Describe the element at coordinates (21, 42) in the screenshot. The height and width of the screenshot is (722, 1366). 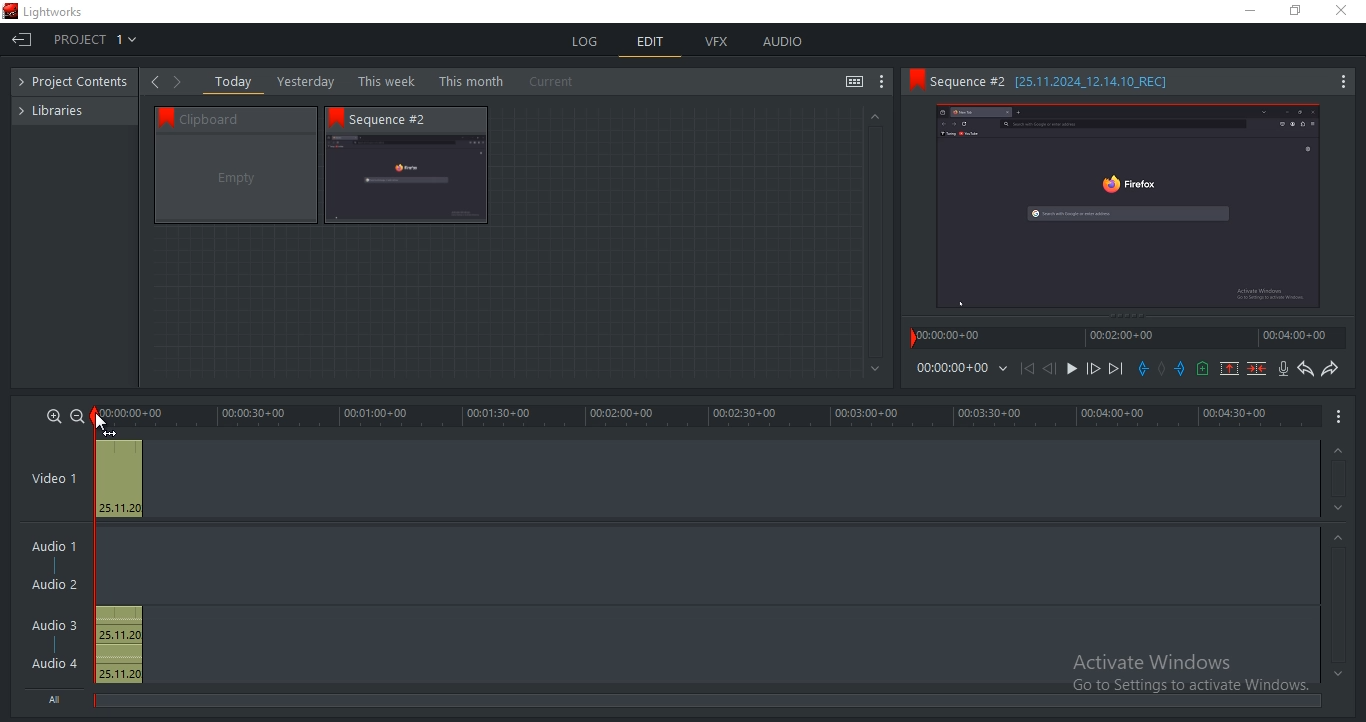
I see `Exit project` at that location.